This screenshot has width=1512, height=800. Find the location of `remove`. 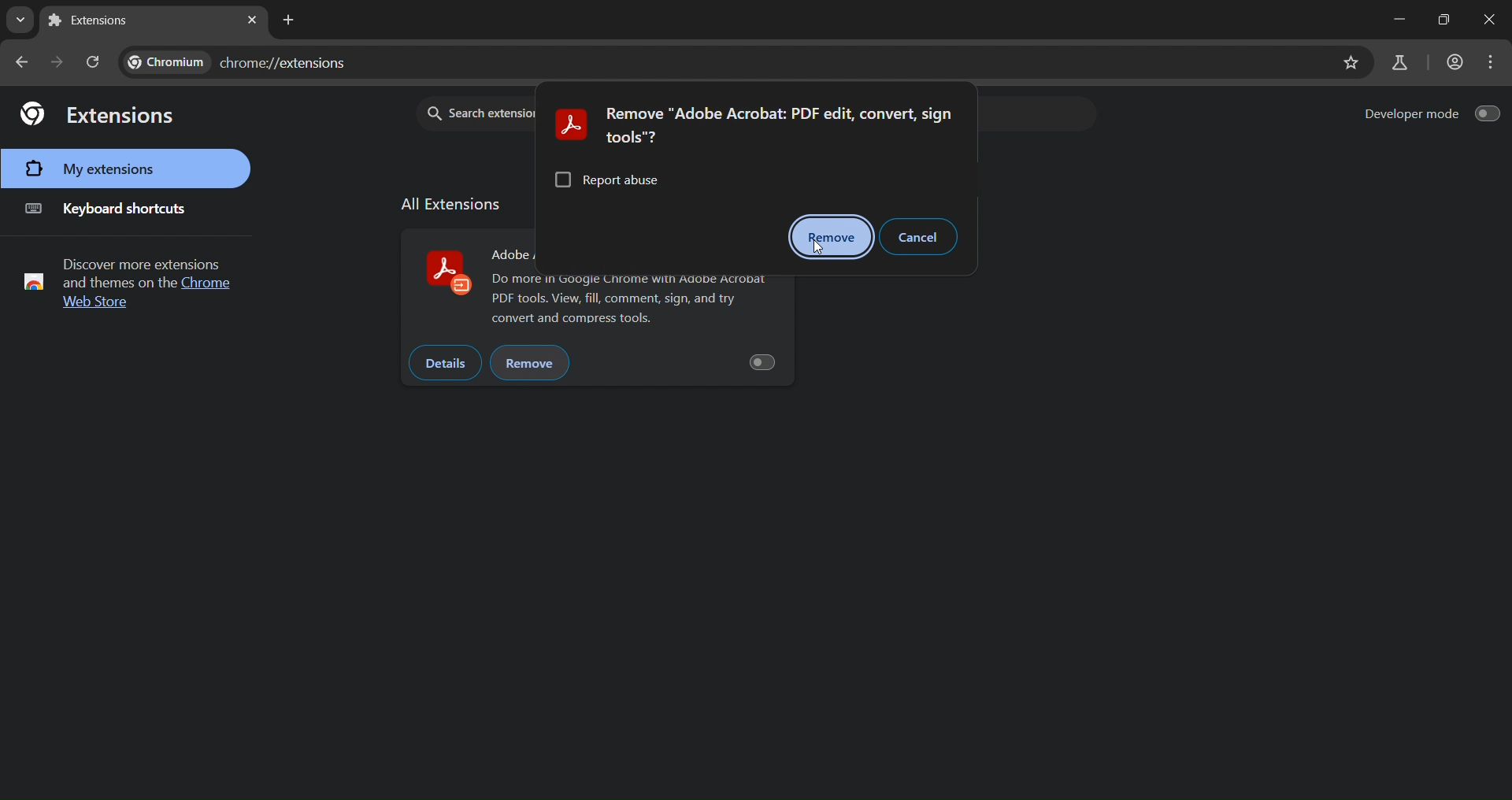

remove is located at coordinates (533, 364).